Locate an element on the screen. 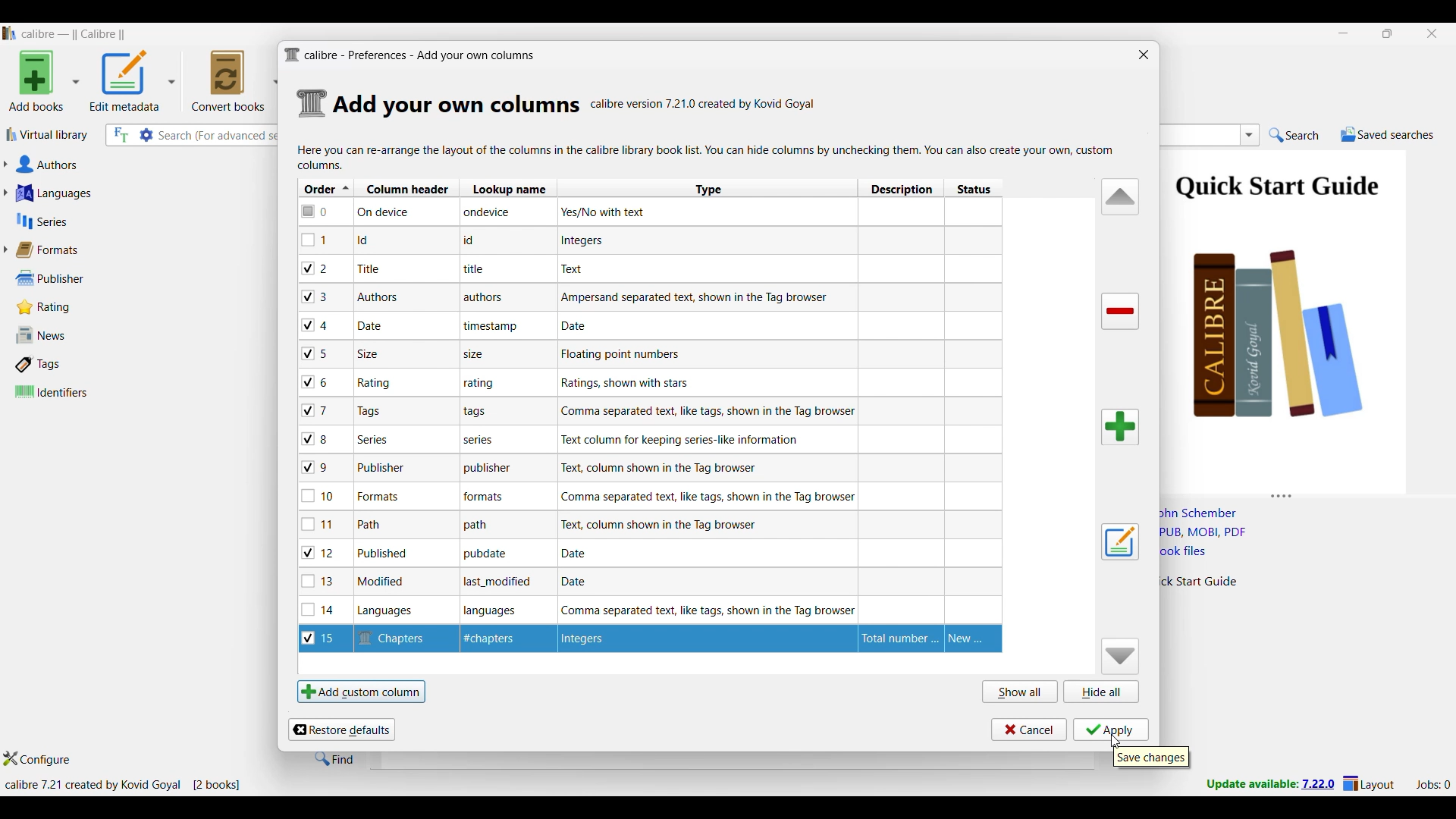 The width and height of the screenshot is (1456, 819). Checkbox - 15 is located at coordinates (322, 640).